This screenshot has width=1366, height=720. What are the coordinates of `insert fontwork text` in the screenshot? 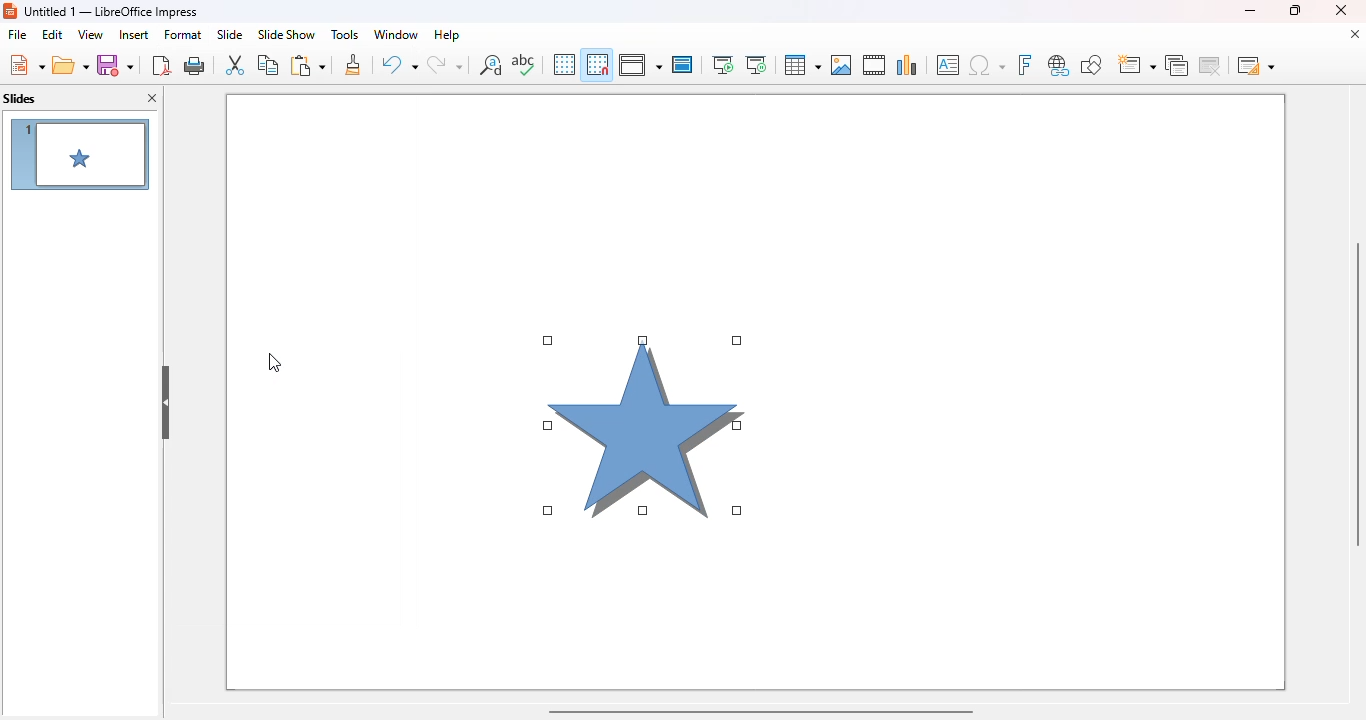 It's located at (1024, 64).